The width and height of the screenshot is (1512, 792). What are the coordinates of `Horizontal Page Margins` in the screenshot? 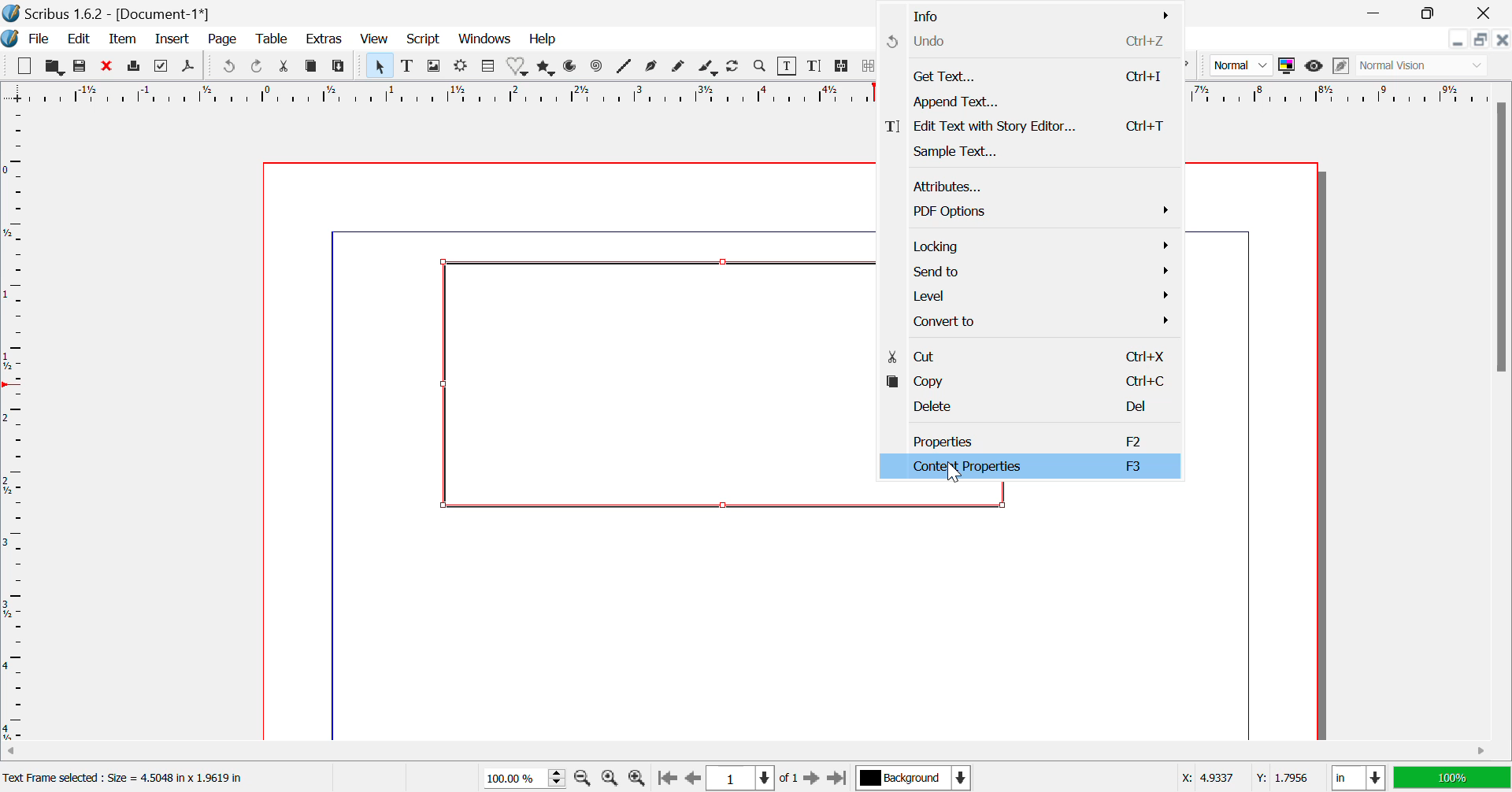 It's located at (19, 425).